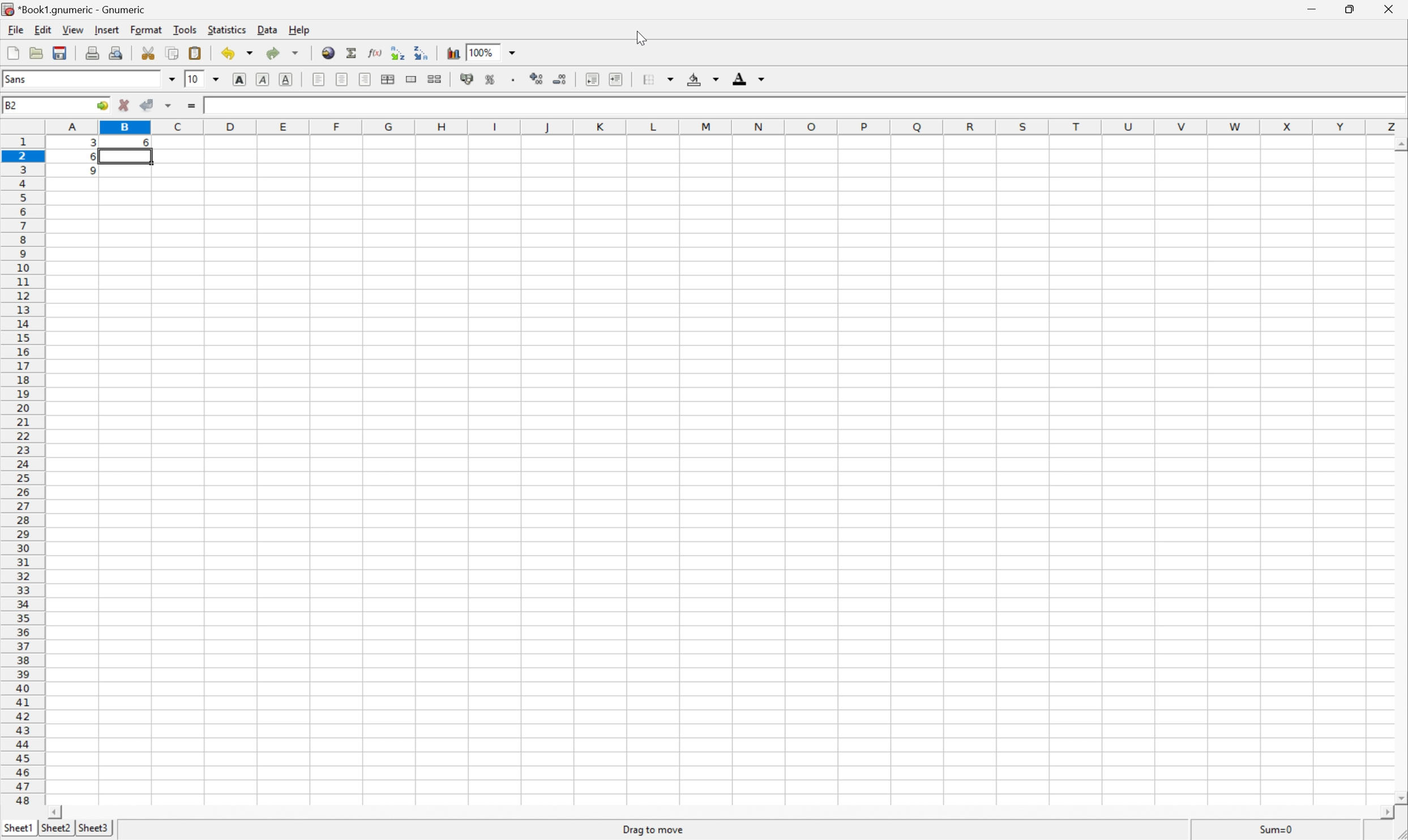  Describe the element at coordinates (57, 54) in the screenshot. I see `Save current workbook` at that location.